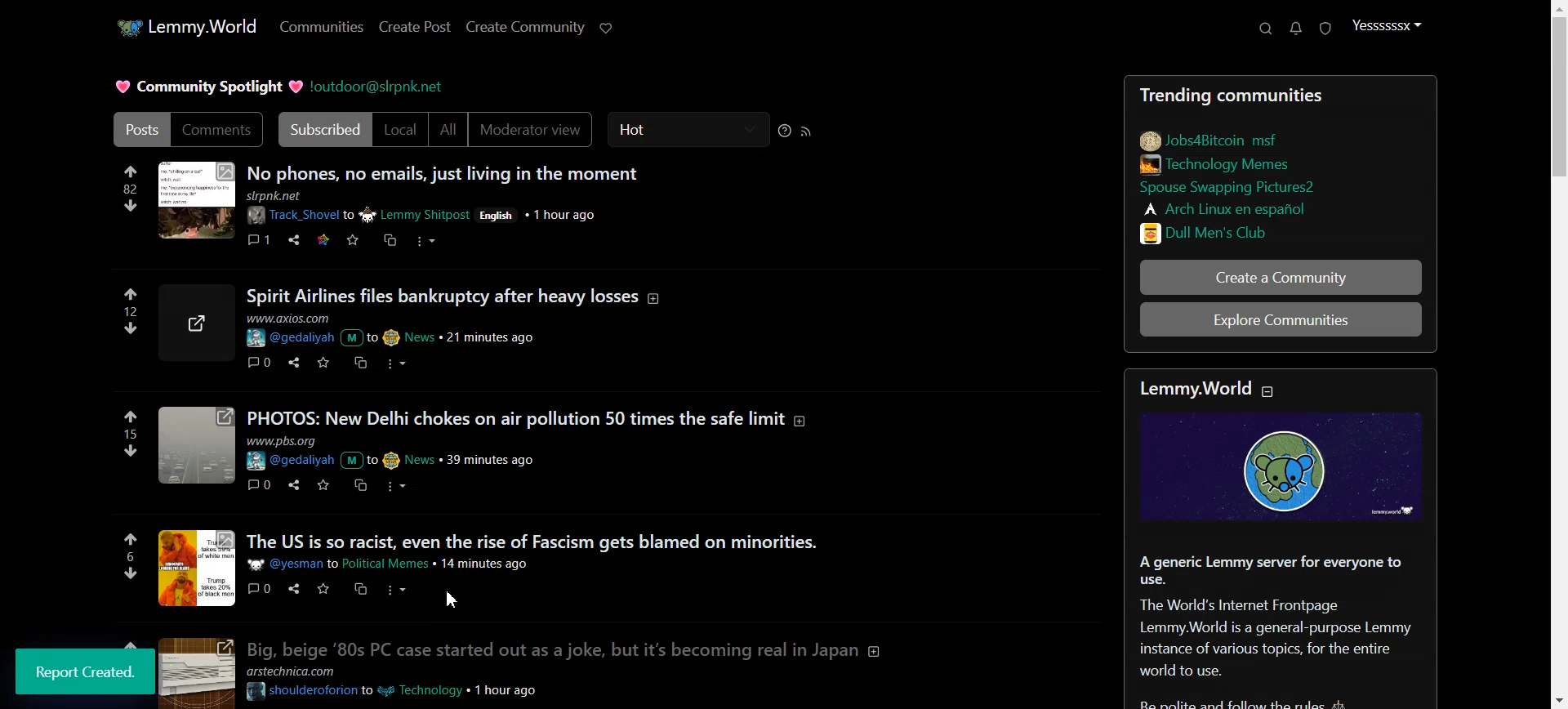  I want to click on post, so click(567, 648).